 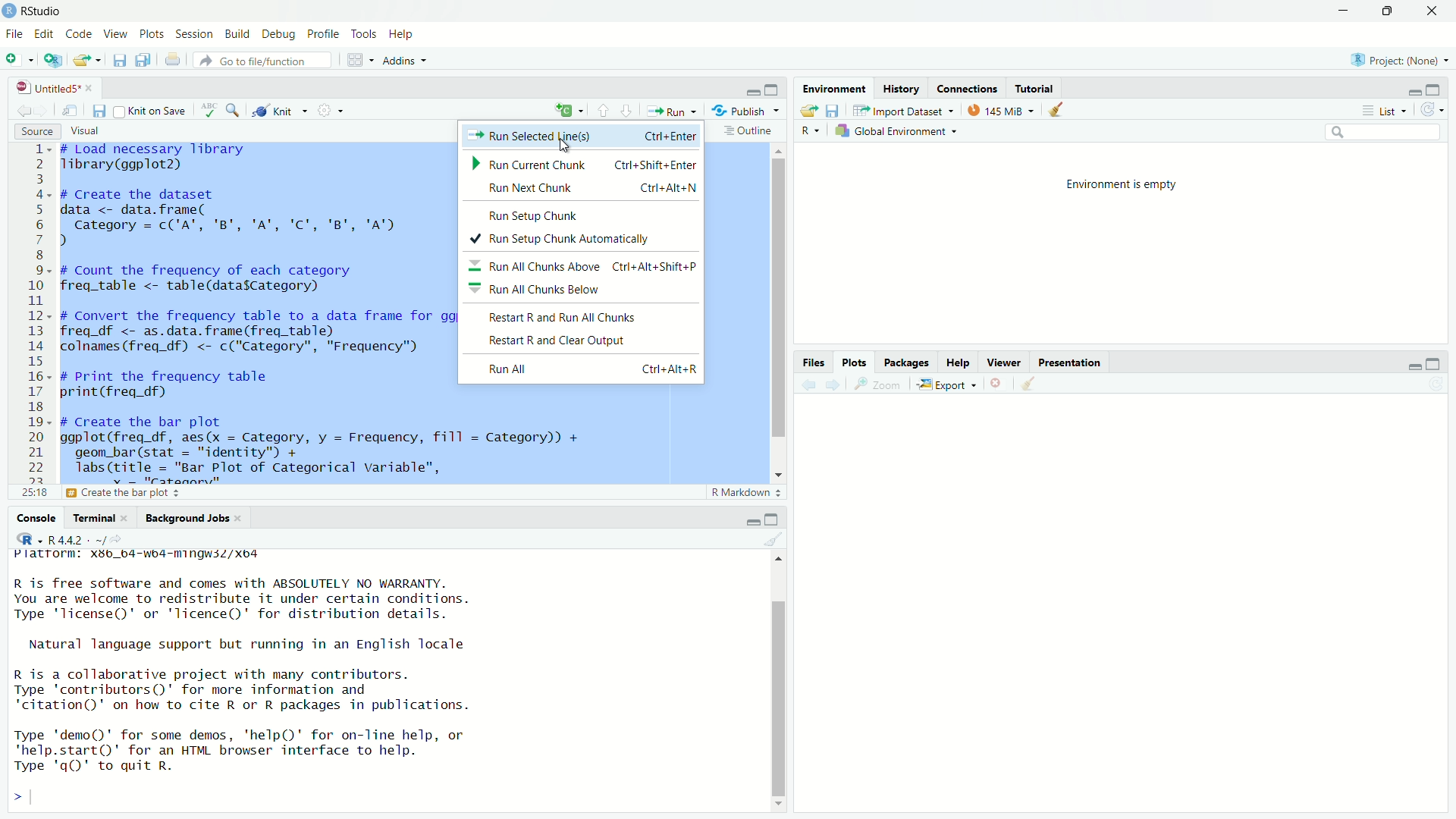 I want to click on » Run Current Chunk ~~ Ctrl+Shift+Enter, so click(x=581, y=165).